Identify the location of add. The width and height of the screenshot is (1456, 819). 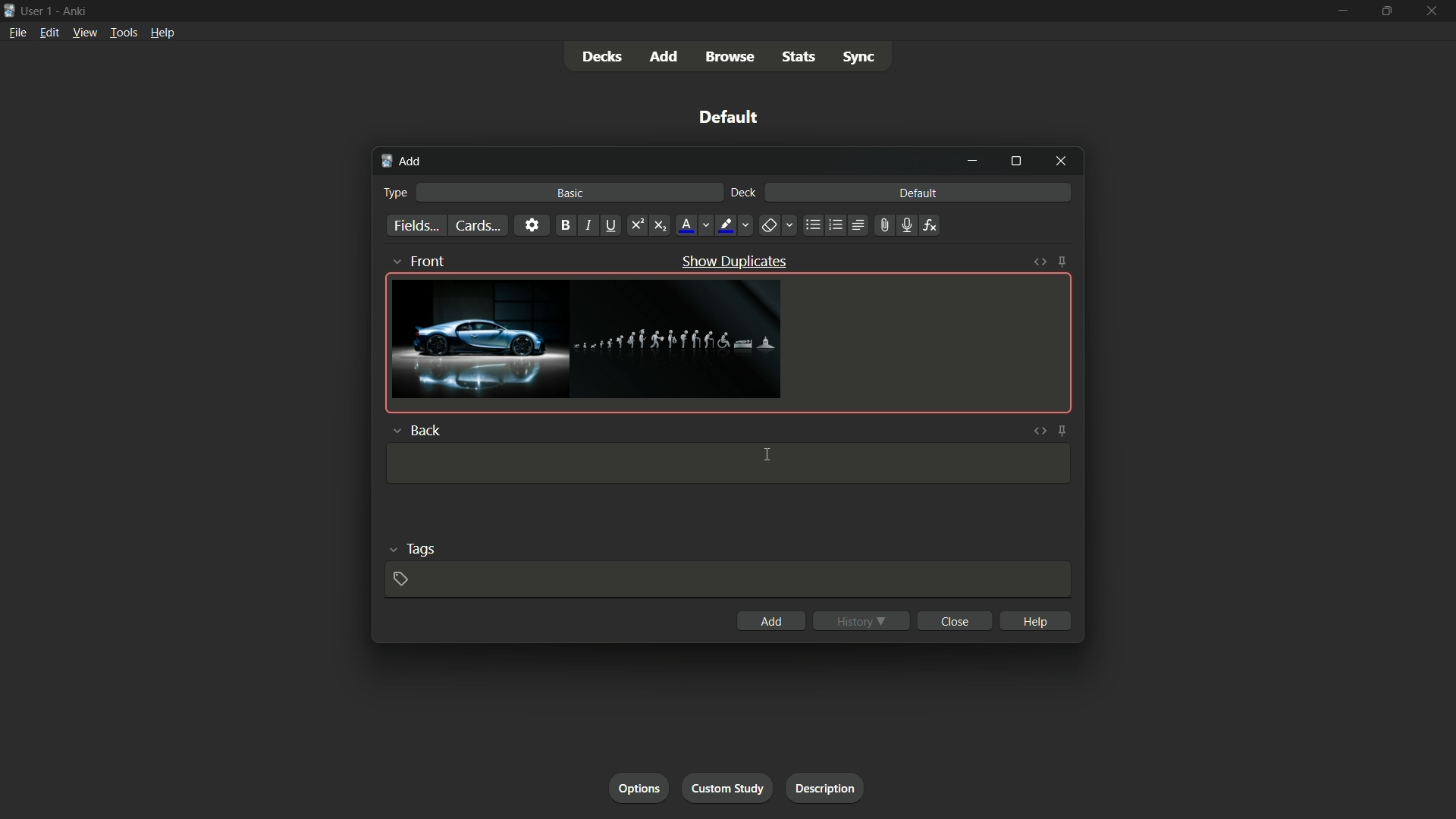
(400, 161).